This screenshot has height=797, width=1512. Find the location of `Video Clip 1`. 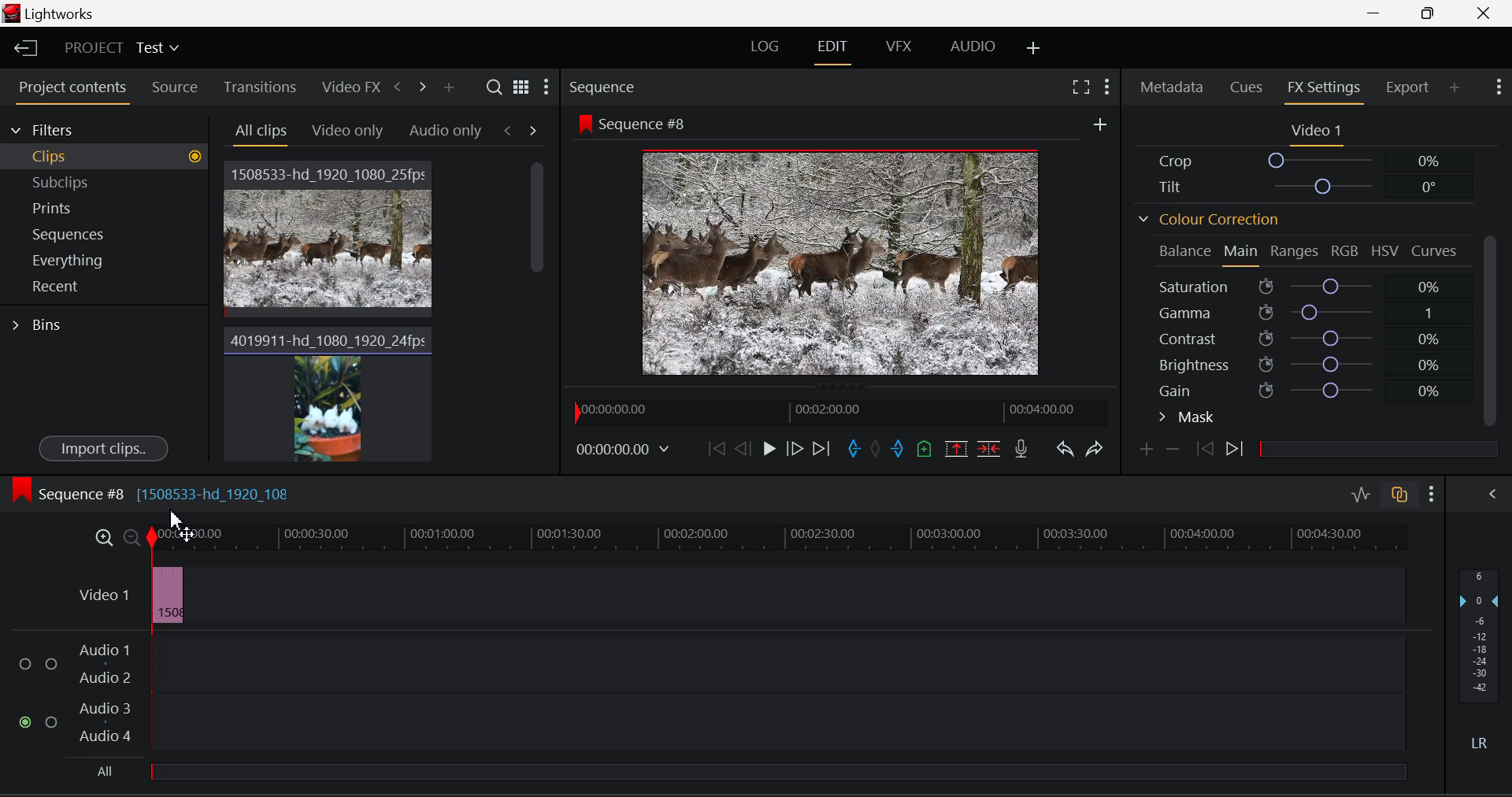

Video Clip 1 is located at coordinates (329, 235).